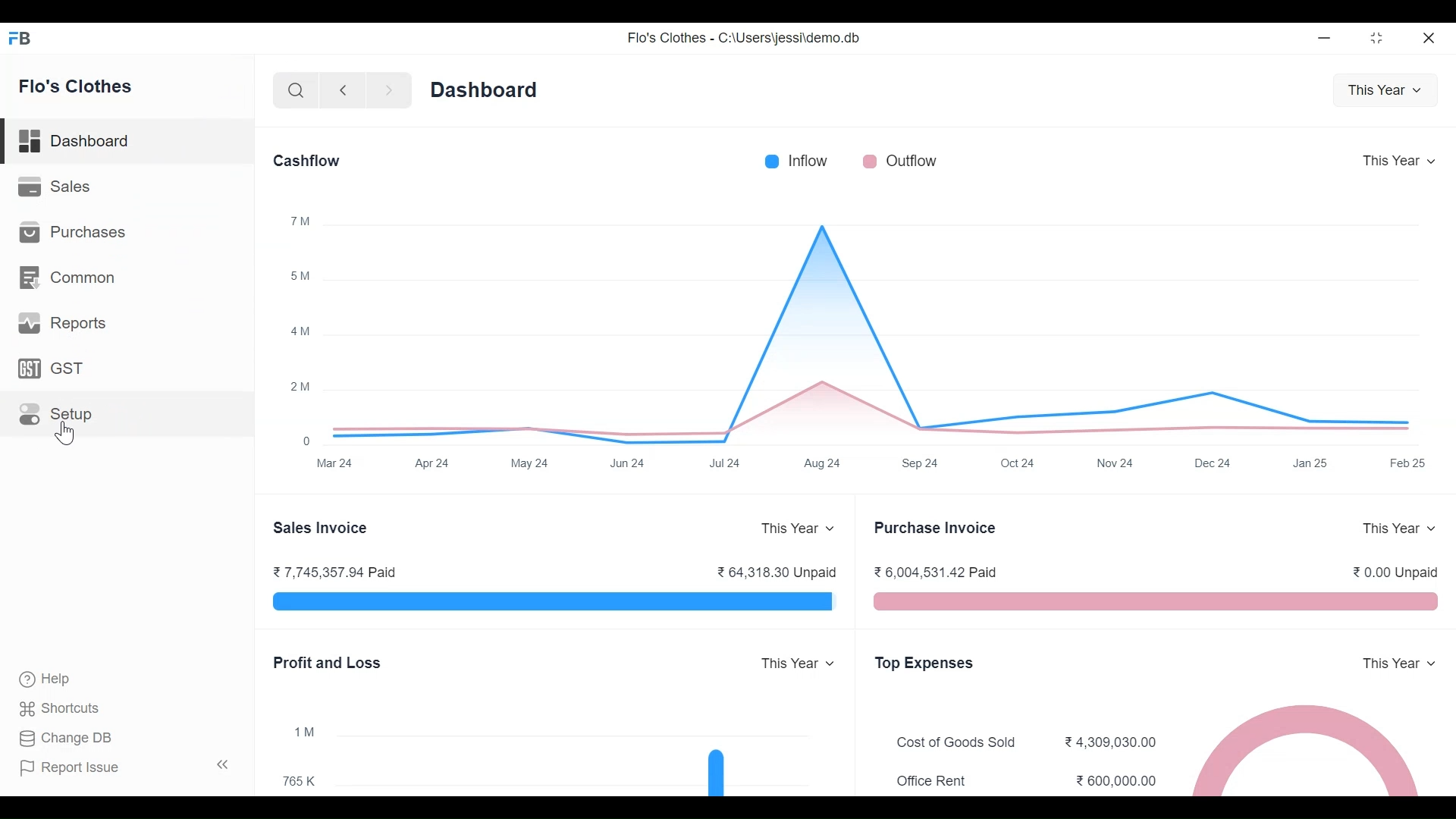 The image size is (1456, 819). Describe the element at coordinates (811, 160) in the screenshot. I see `Inflow` at that location.